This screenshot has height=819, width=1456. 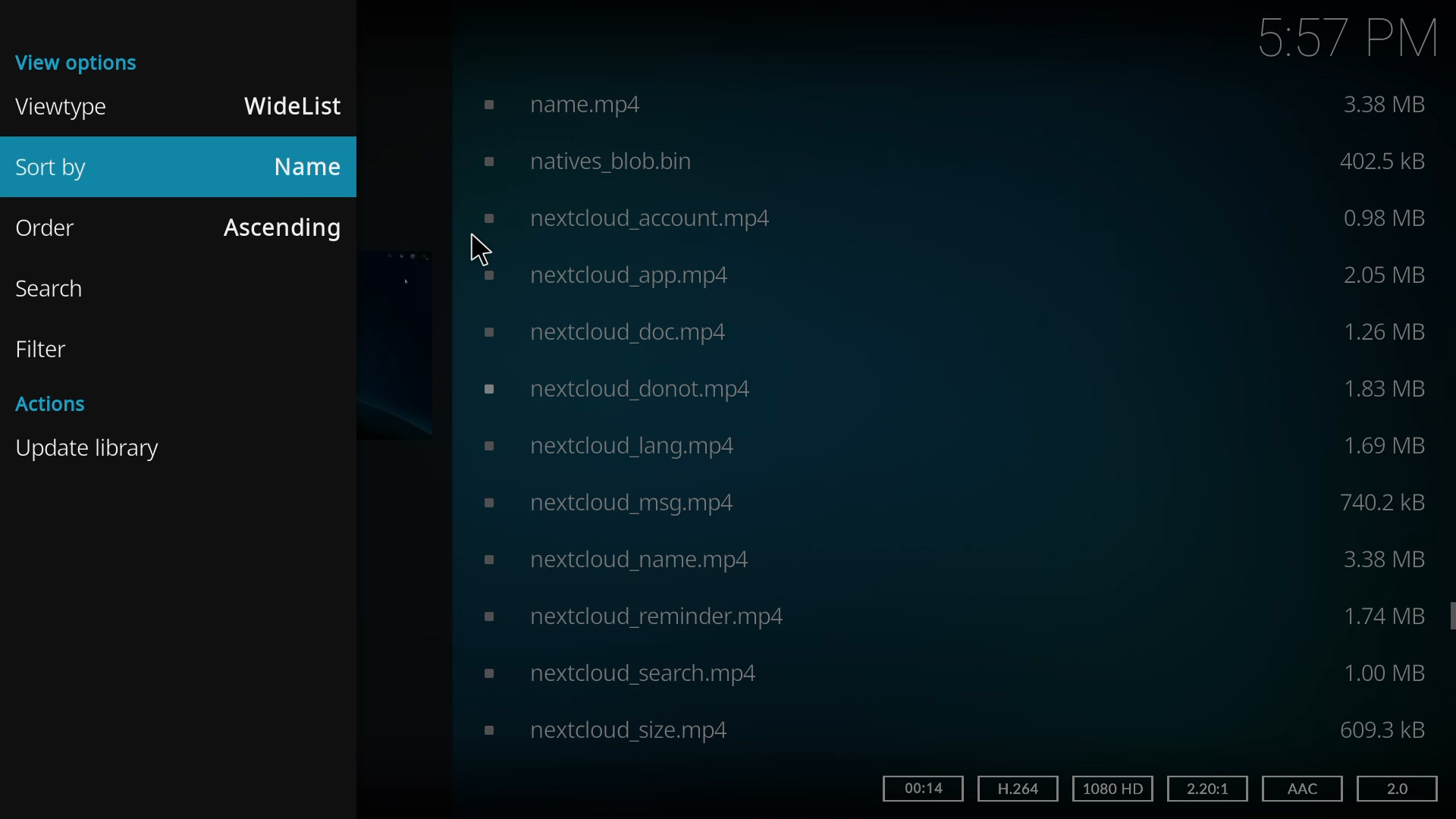 I want to click on hd, so click(x=1115, y=789).